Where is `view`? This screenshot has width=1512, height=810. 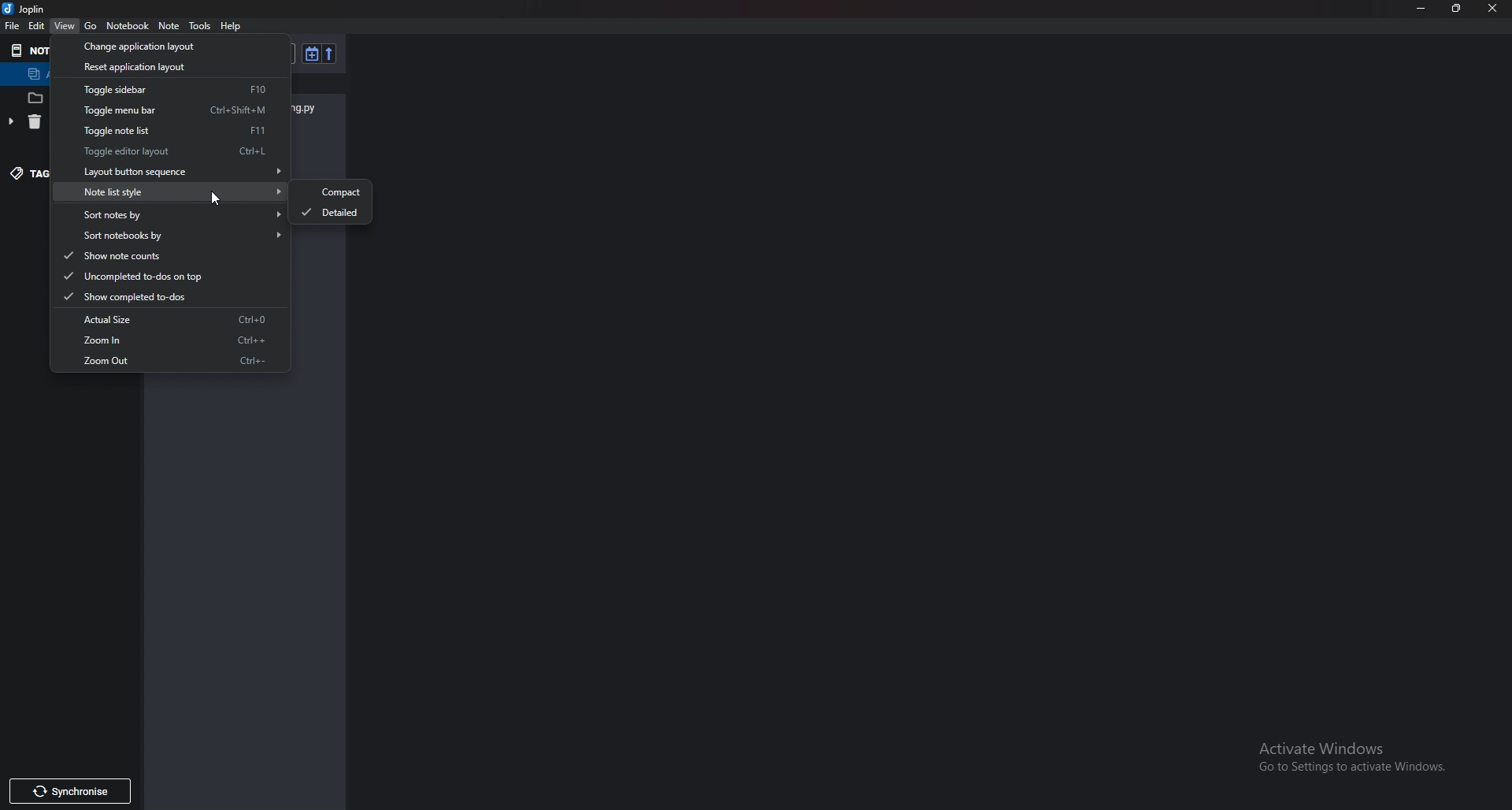
view is located at coordinates (65, 27).